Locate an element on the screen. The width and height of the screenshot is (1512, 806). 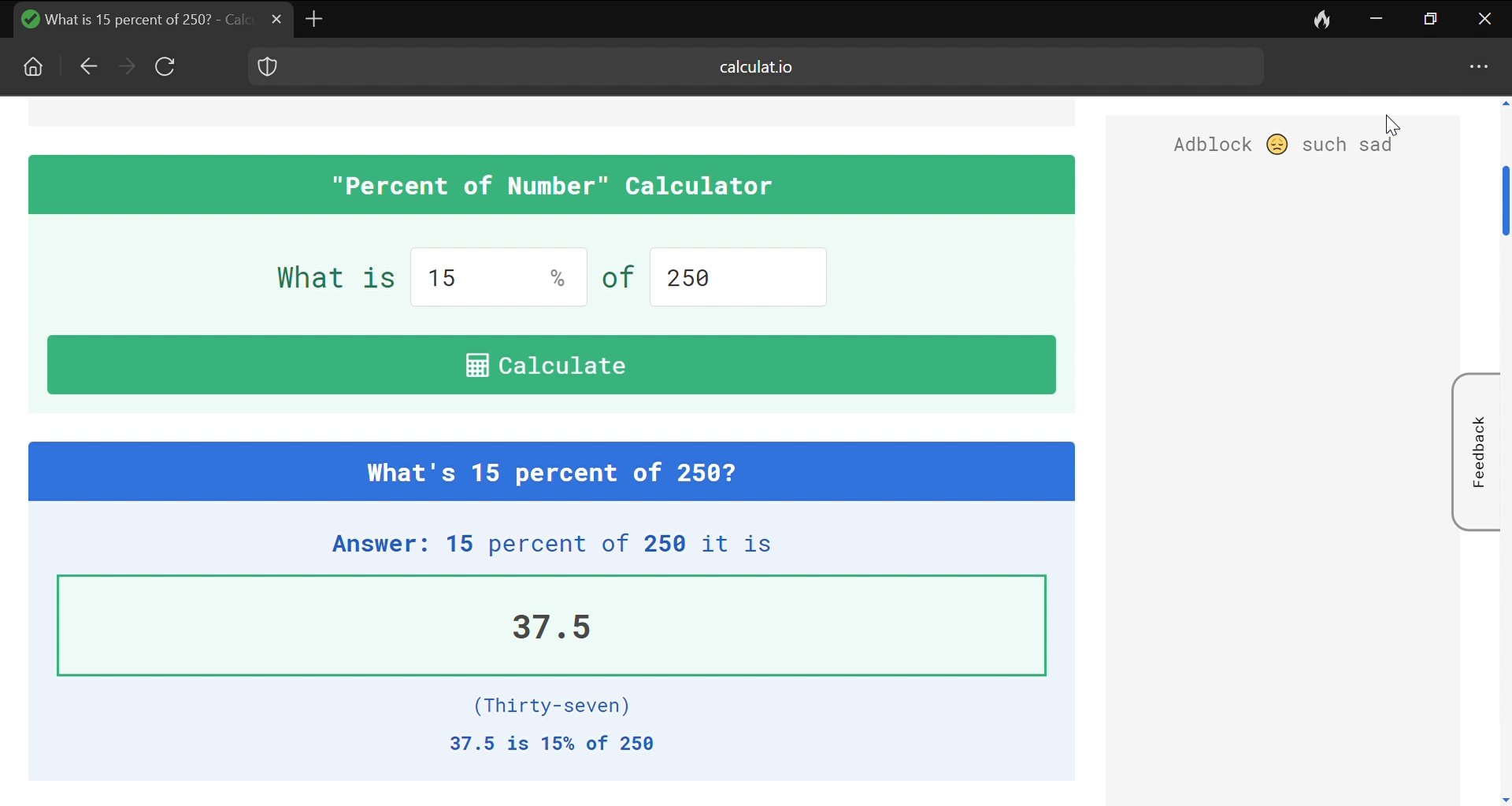
37.5 is located at coordinates (545, 623).